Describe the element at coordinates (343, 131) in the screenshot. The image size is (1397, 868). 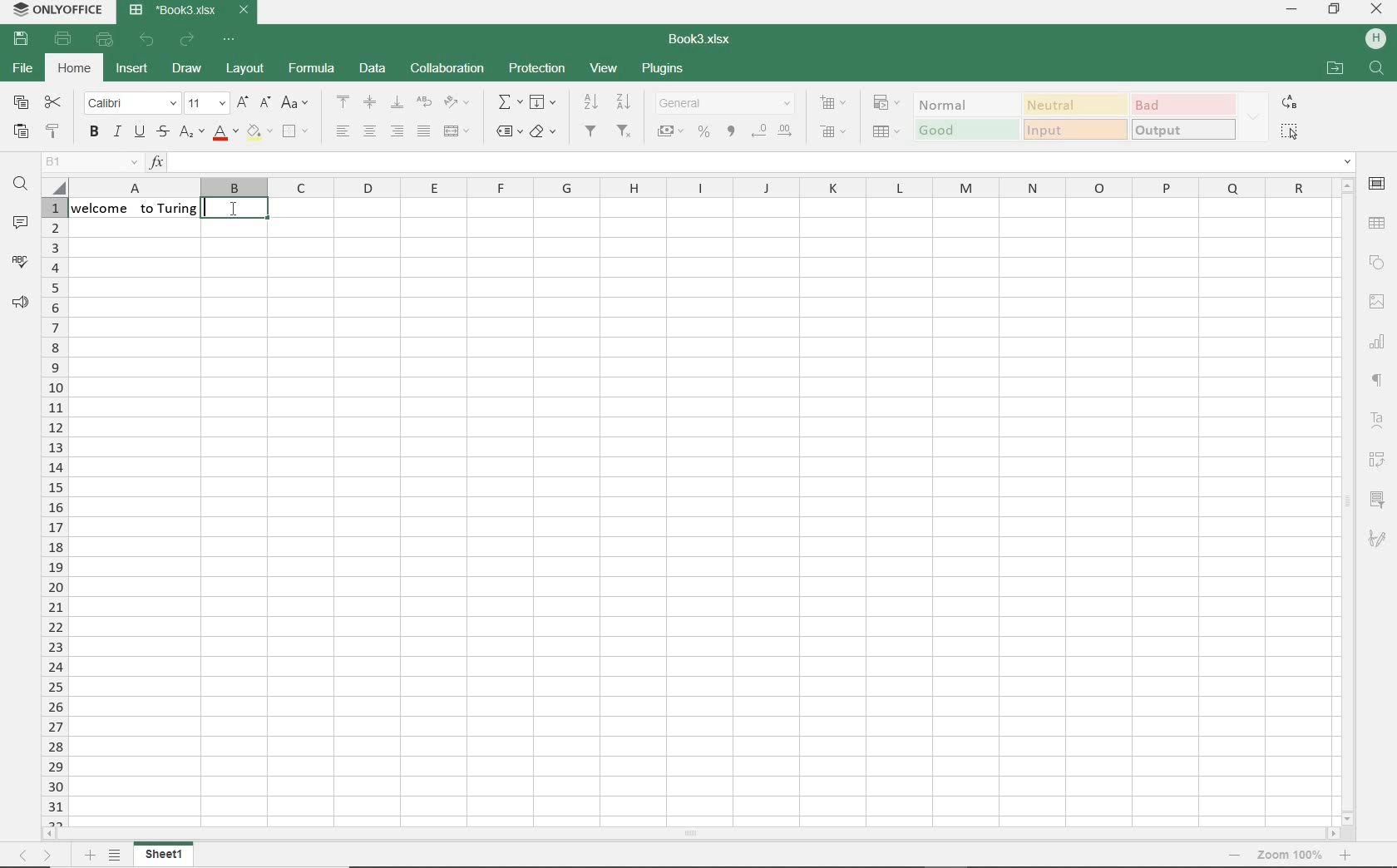
I see `align left` at that location.